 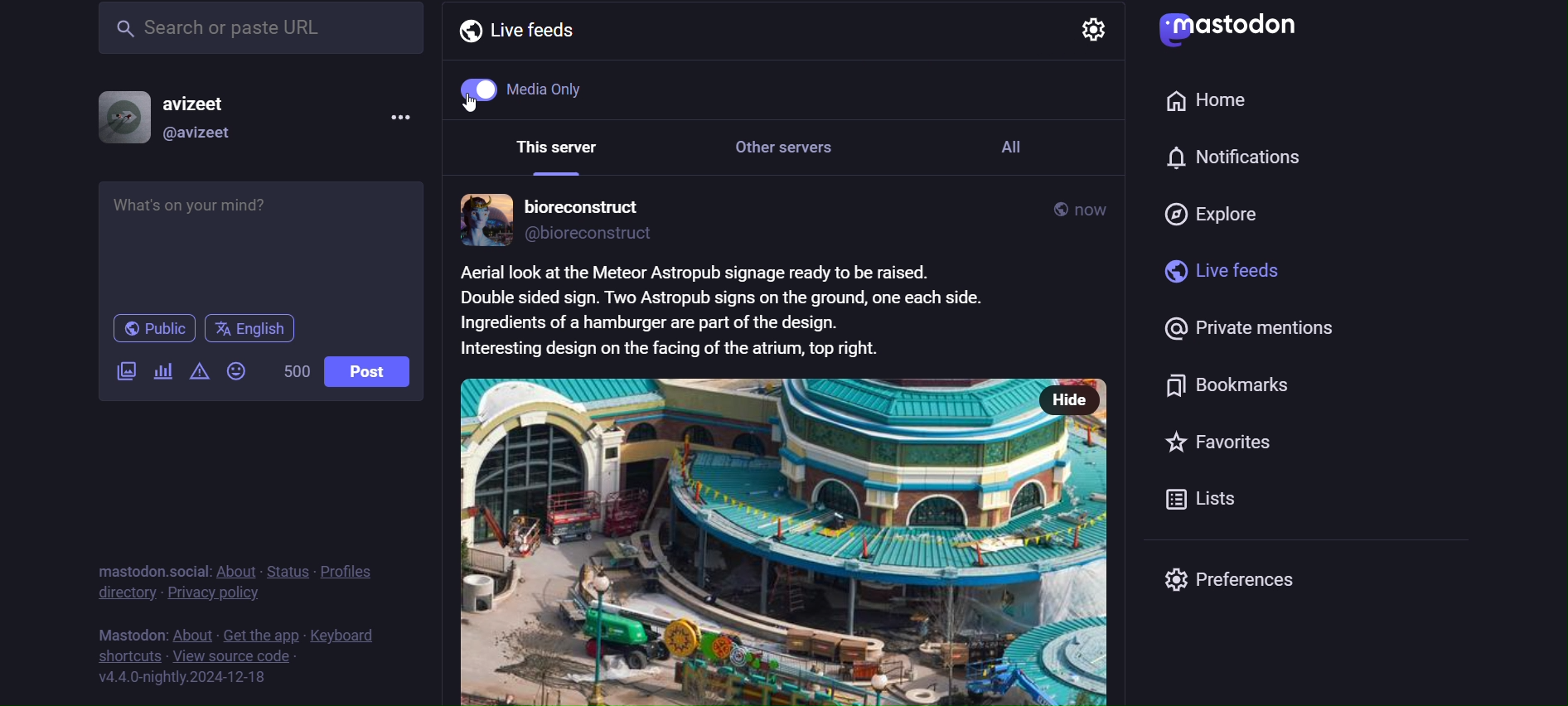 What do you see at coordinates (1226, 579) in the screenshot?
I see `preferences` at bounding box center [1226, 579].